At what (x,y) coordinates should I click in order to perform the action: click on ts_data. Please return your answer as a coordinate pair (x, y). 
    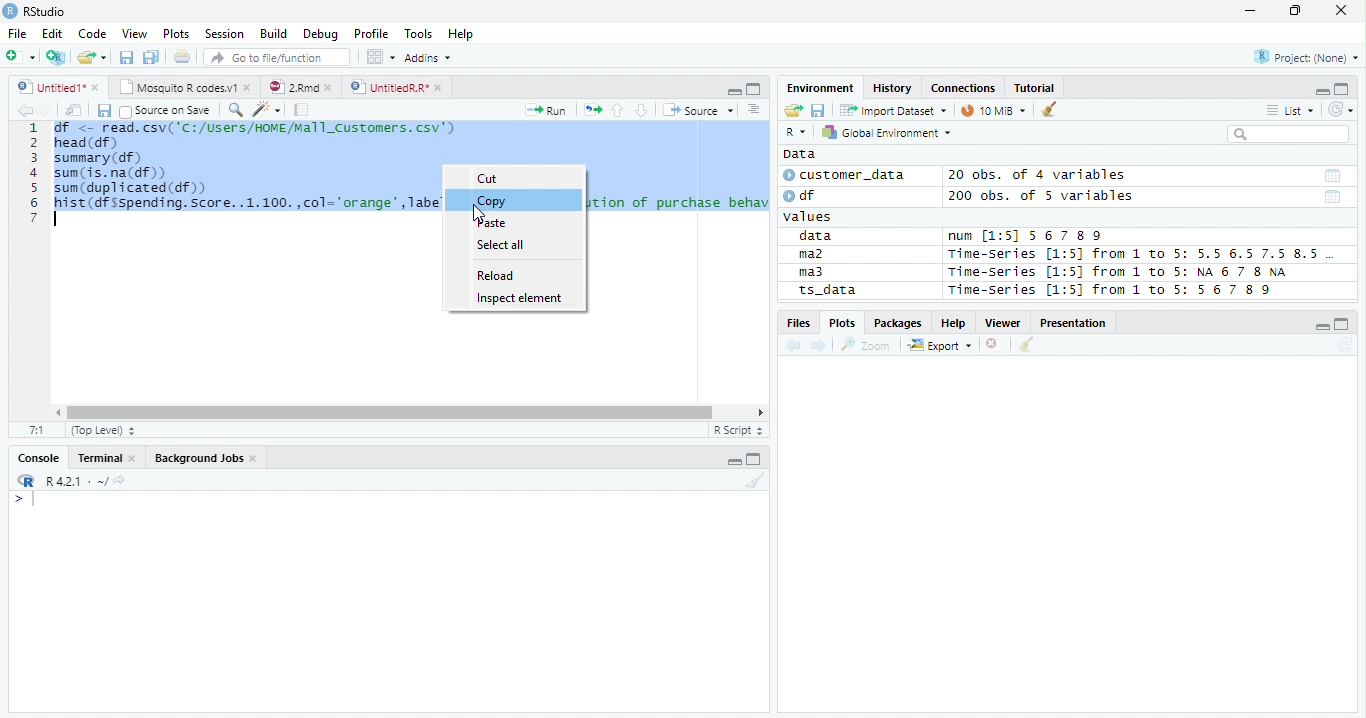
    Looking at the image, I should click on (855, 293).